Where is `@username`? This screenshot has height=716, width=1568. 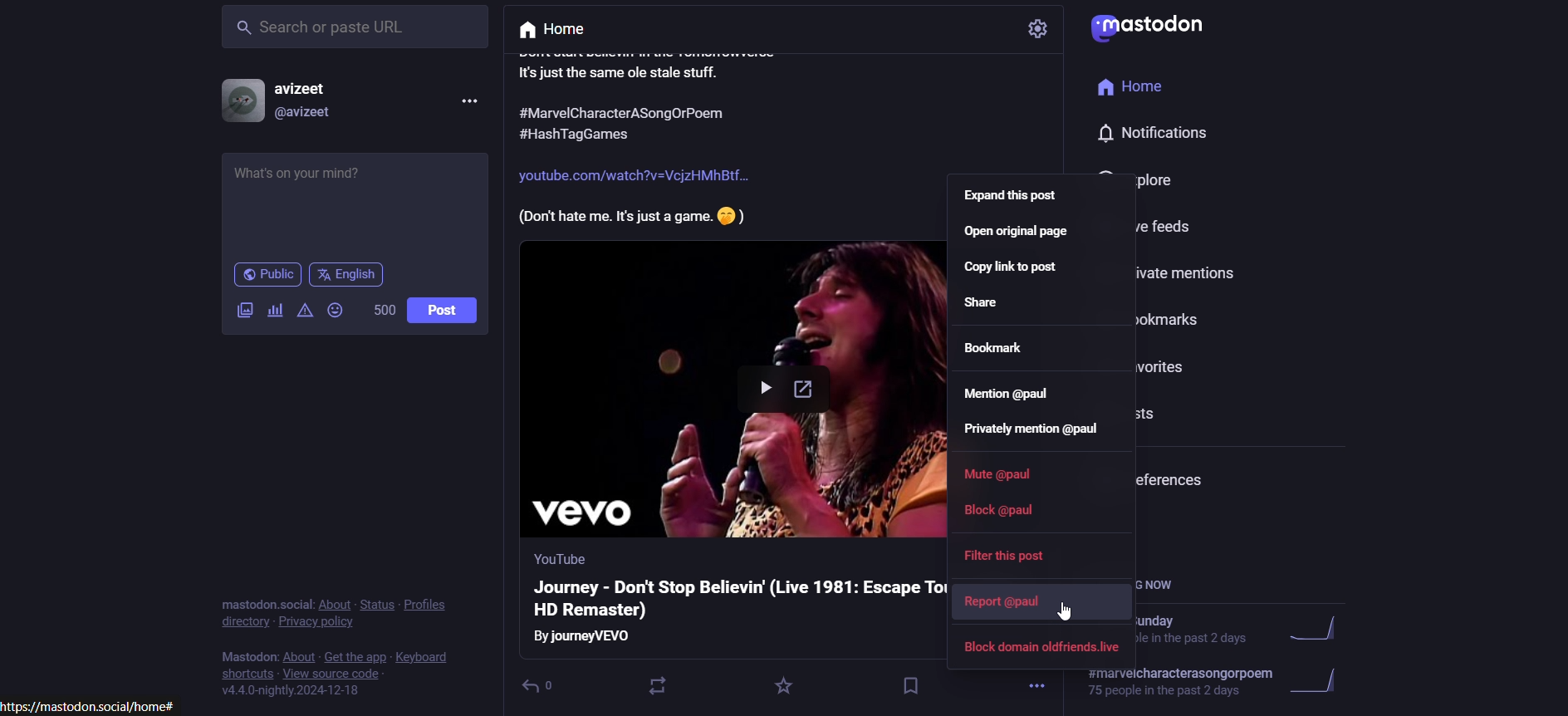 @username is located at coordinates (304, 116).